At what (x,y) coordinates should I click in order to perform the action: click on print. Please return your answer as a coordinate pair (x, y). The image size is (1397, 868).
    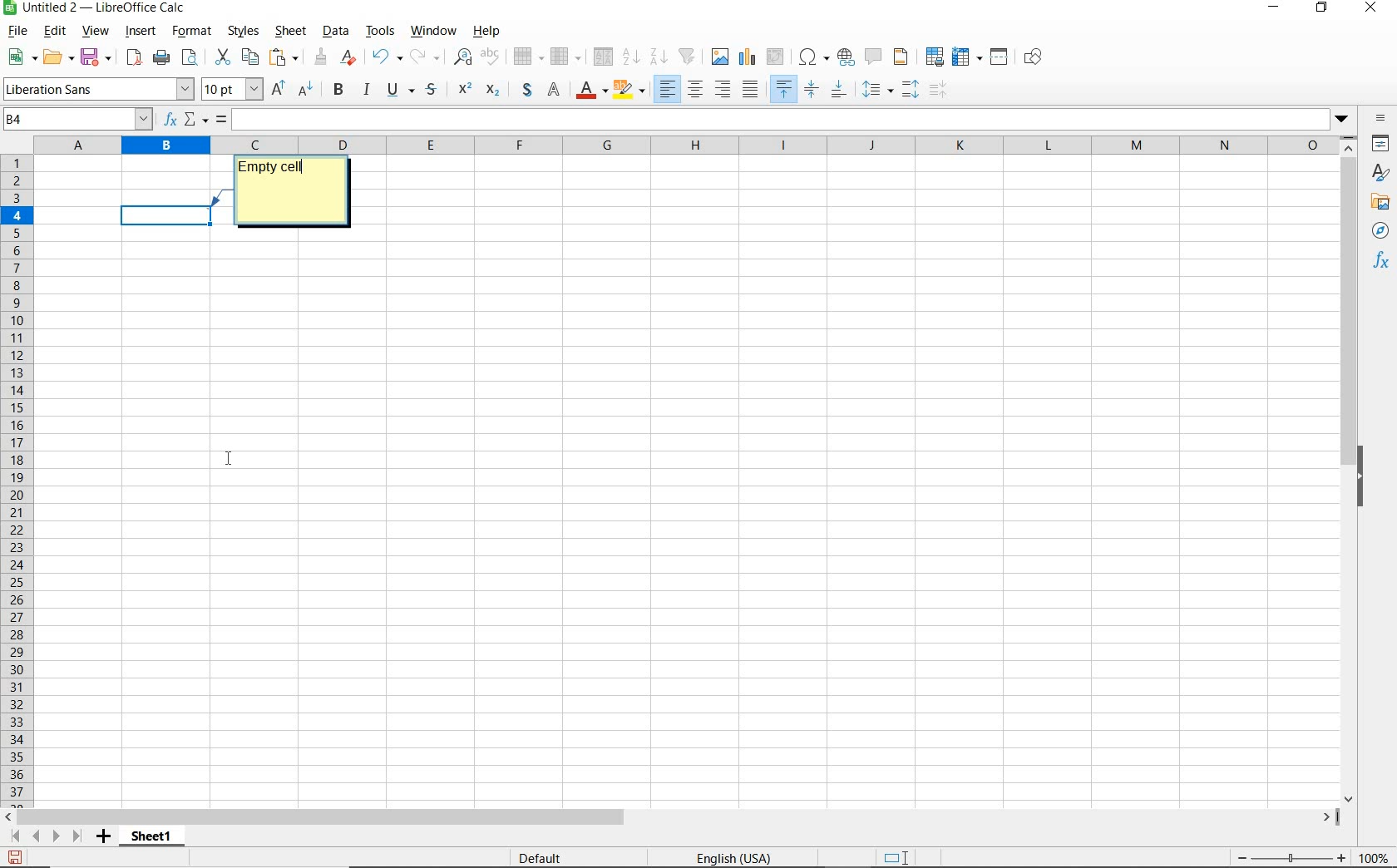
    Looking at the image, I should click on (162, 57).